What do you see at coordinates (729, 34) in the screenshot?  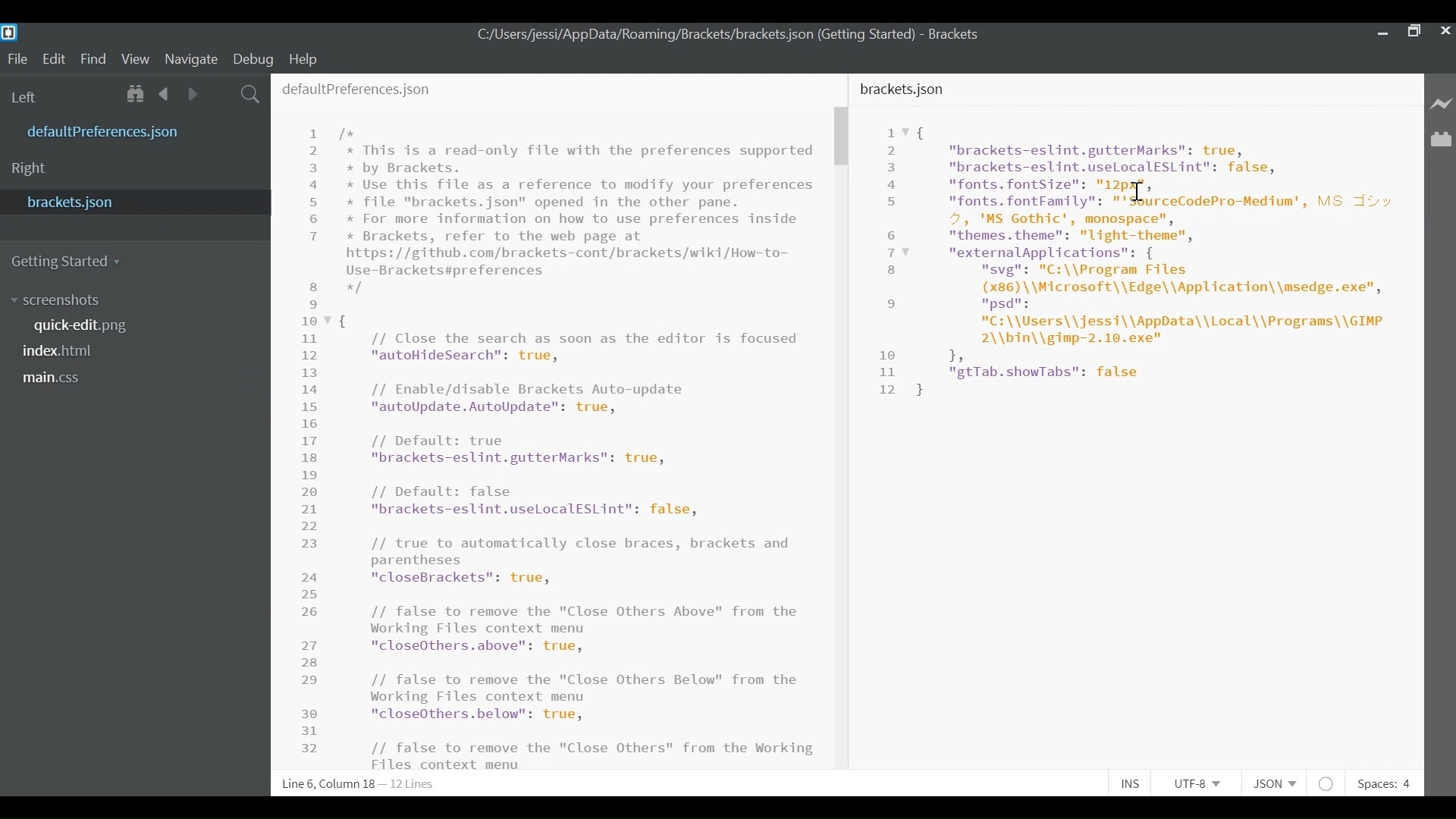 I see `C:/Users/jessi/AppData/Roaming/Brackets/brackets json (Getting Started) - Brackets` at bounding box center [729, 34].